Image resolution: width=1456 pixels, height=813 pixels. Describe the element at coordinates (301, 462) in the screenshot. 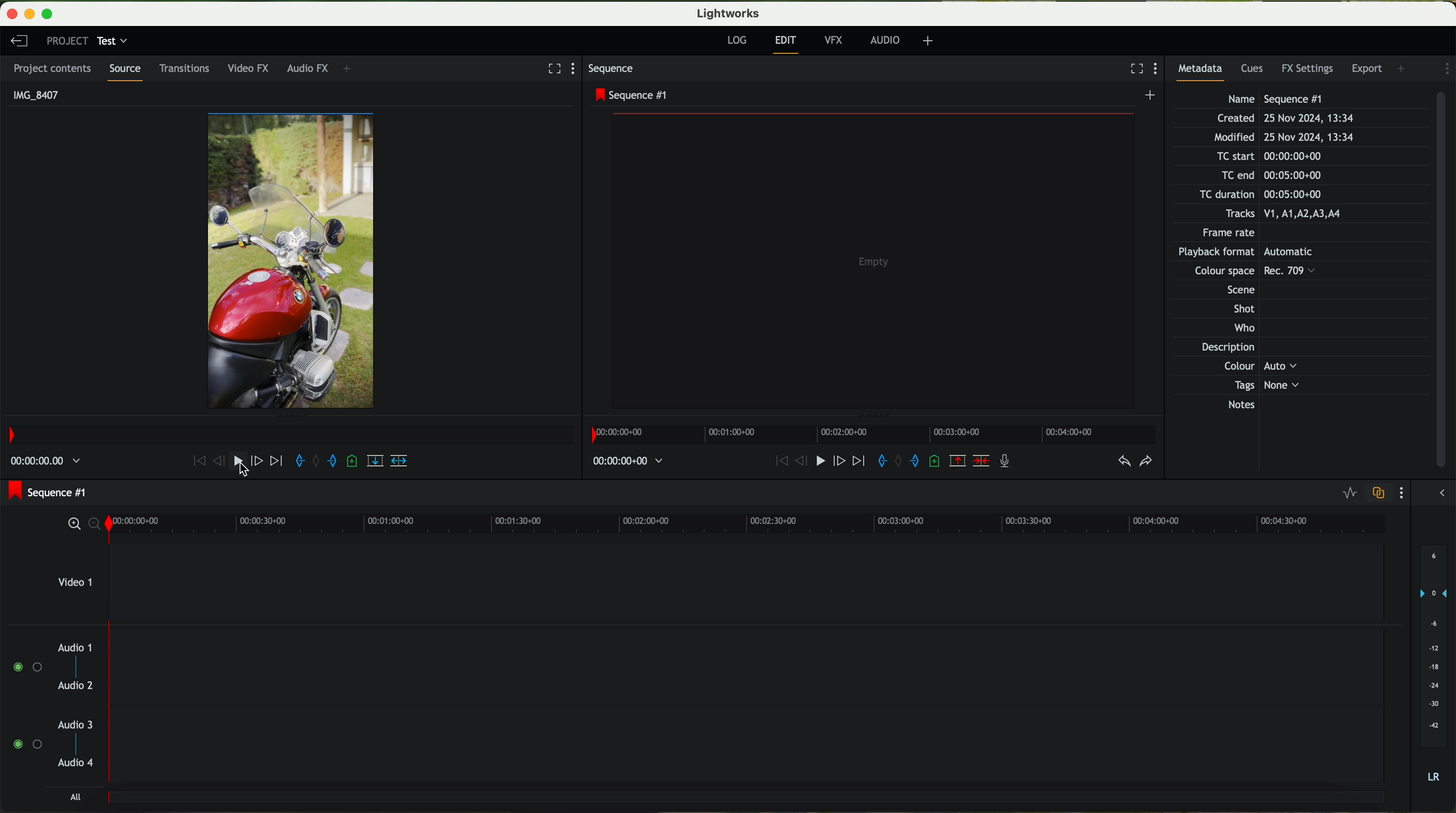

I see `add an in mark` at that location.